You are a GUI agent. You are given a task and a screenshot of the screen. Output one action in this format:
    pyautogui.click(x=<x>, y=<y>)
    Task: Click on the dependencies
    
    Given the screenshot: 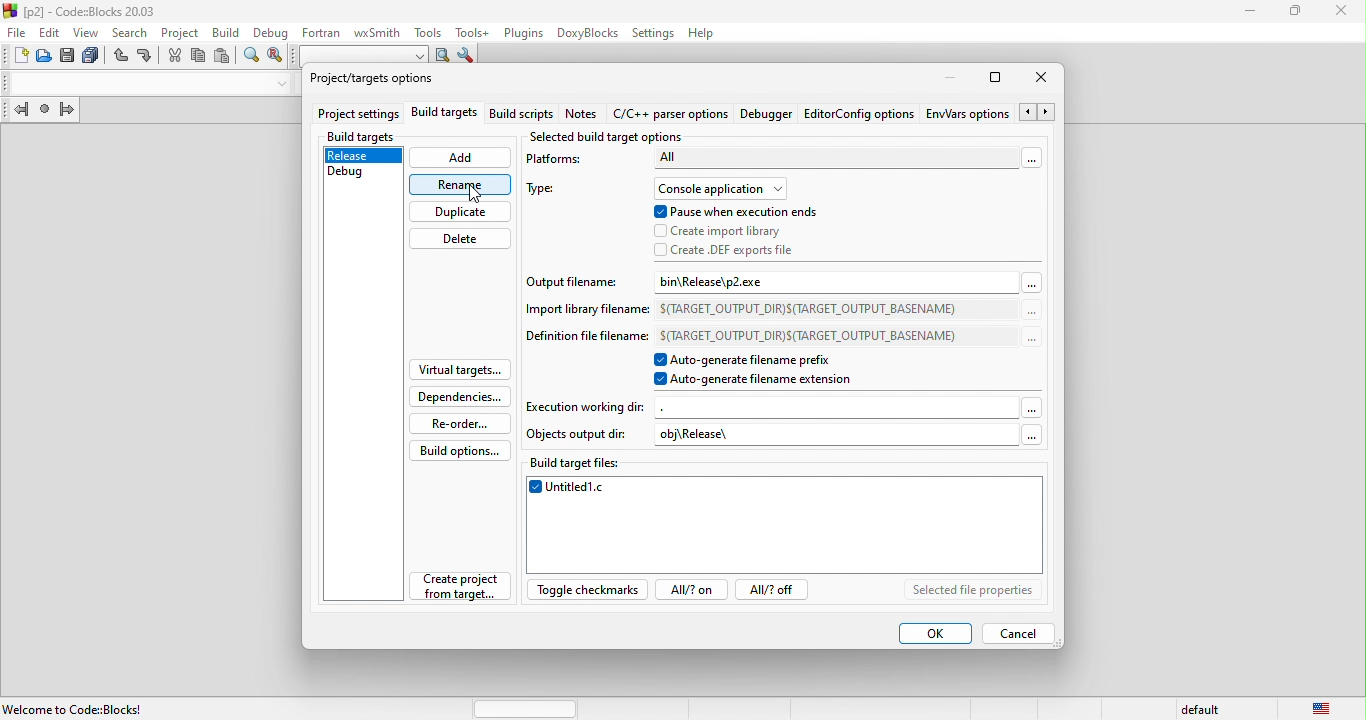 What is the action you would take?
    pyautogui.click(x=459, y=396)
    